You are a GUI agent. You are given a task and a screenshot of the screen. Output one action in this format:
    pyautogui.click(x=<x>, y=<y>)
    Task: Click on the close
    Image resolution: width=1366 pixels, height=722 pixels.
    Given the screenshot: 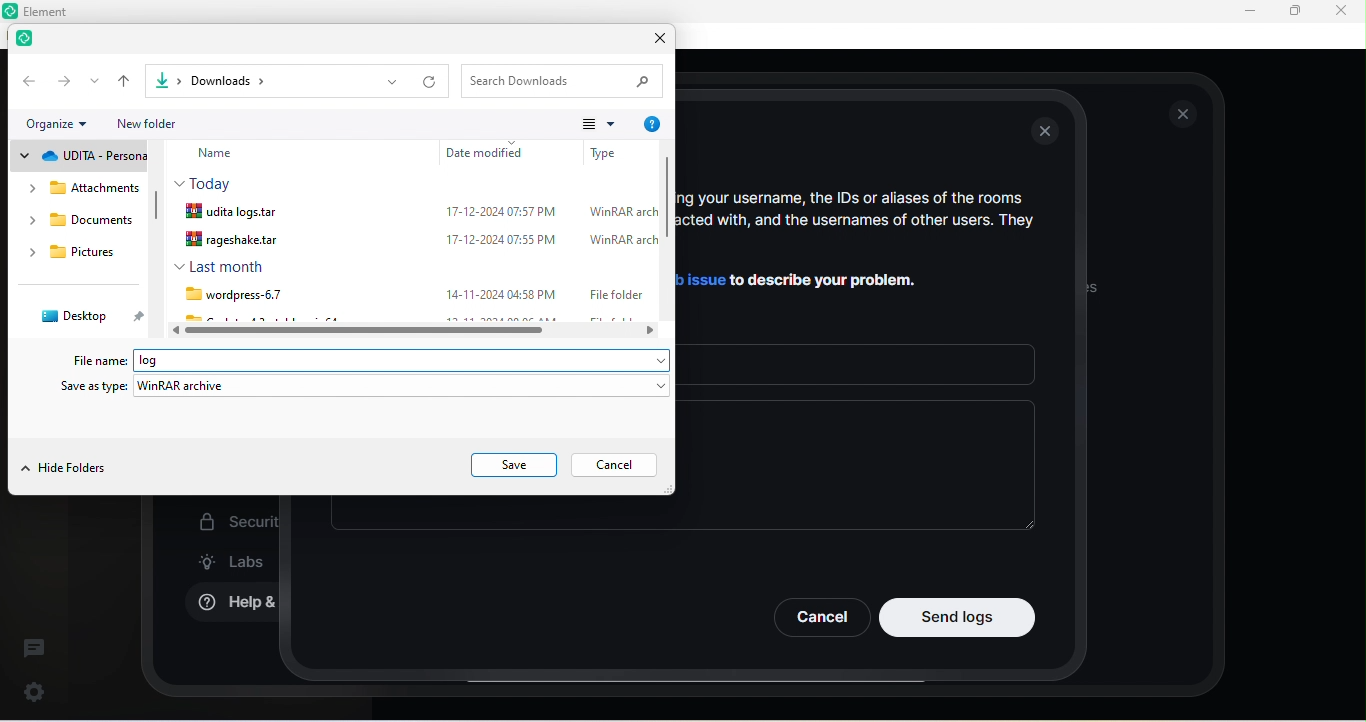 What is the action you would take?
    pyautogui.click(x=1048, y=133)
    